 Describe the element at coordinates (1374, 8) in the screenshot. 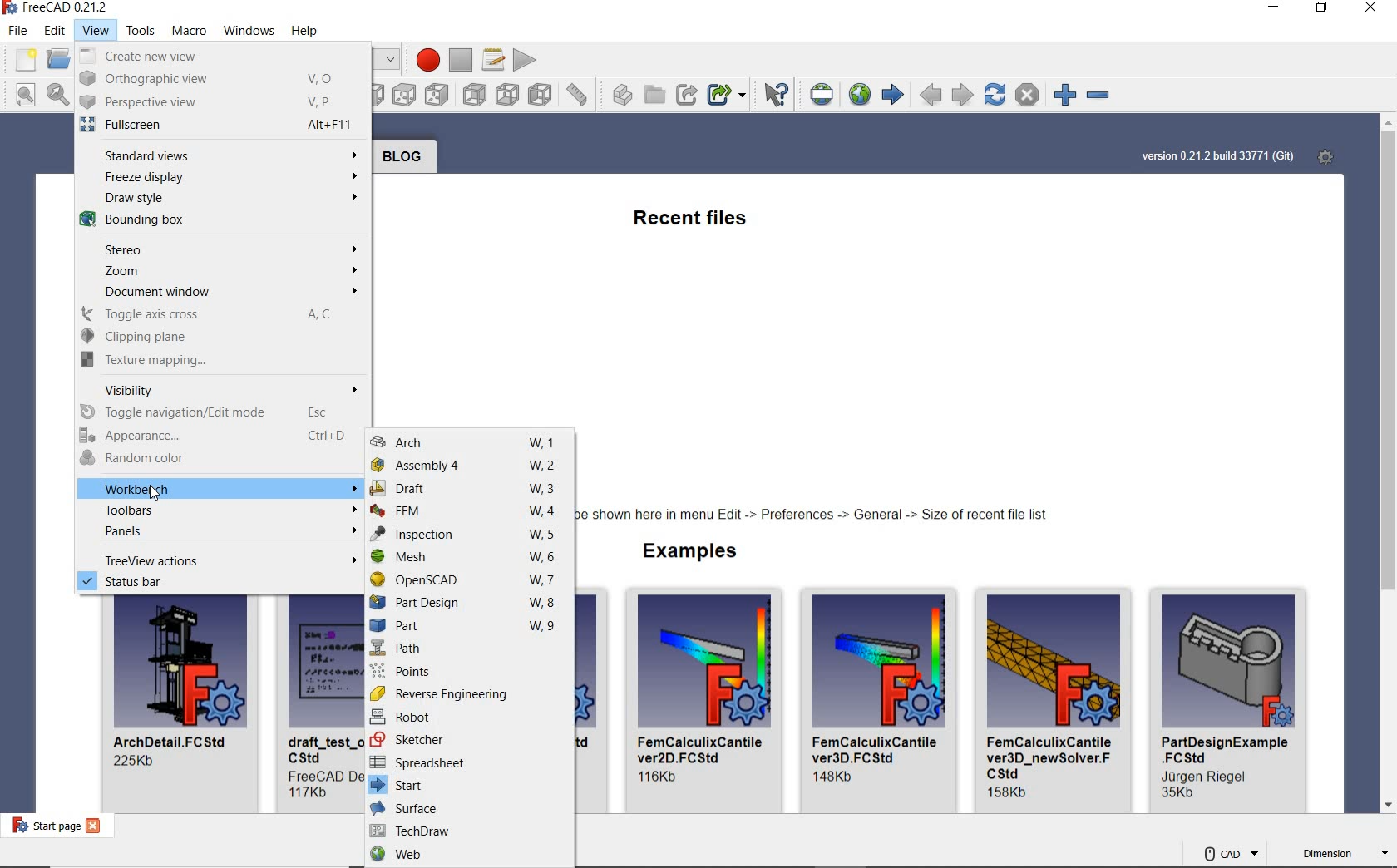

I see `close` at that location.